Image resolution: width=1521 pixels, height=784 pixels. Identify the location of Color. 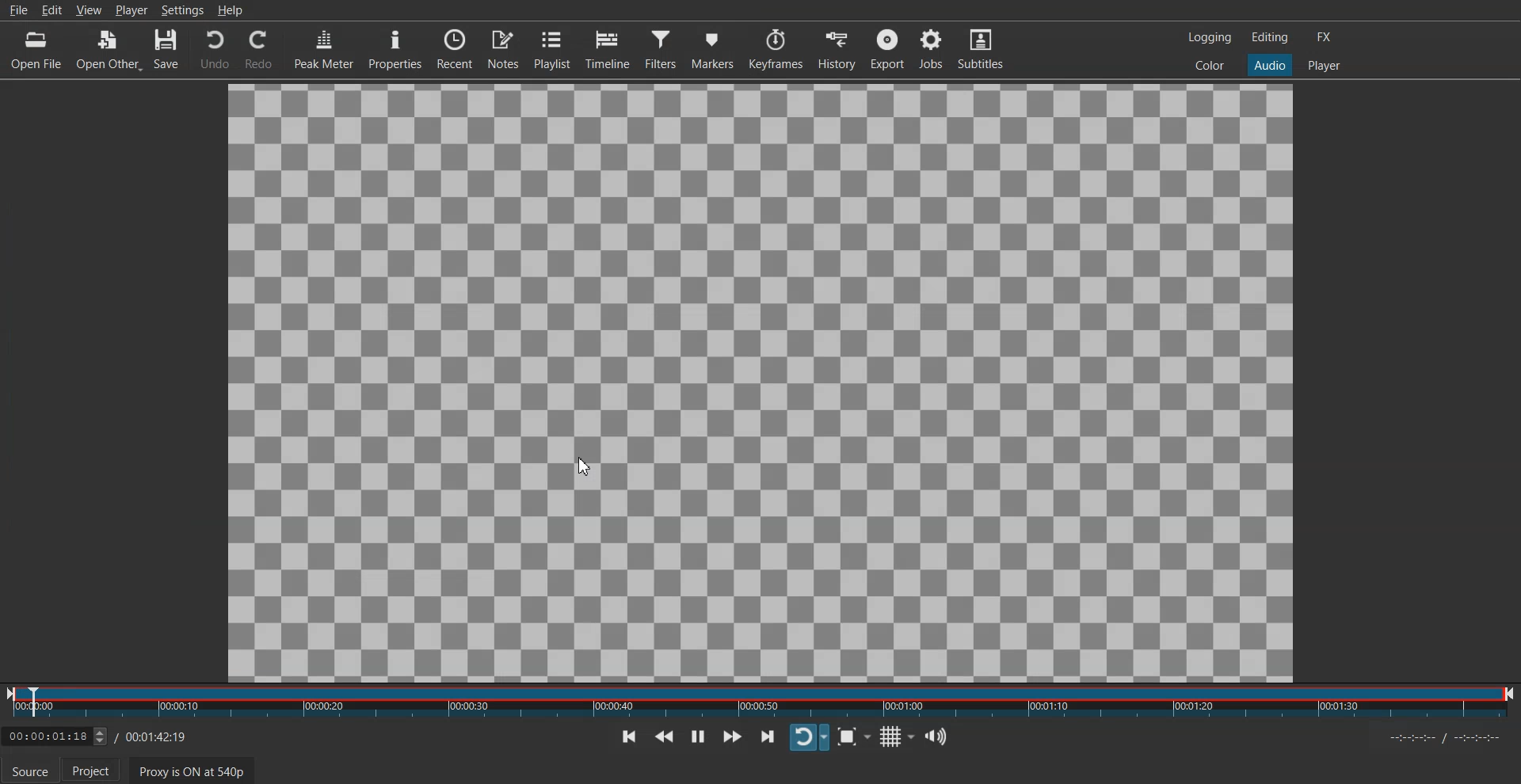
(1210, 66).